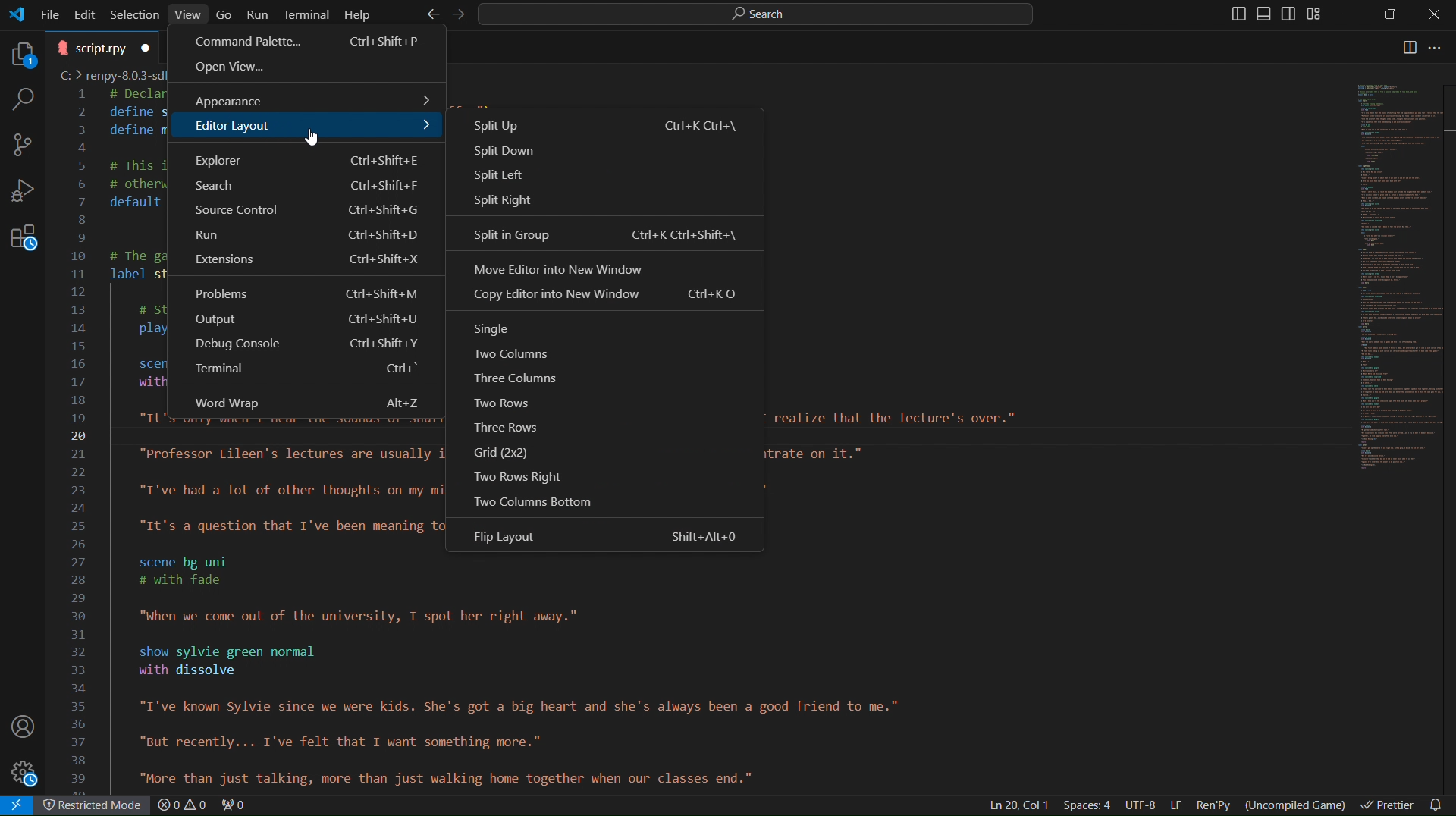 The image size is (1456, 816). What do you see at coordinates (1291, 14) in the screenshot?
I see `Toggle Secondary Sidebar` at bounding box center [1291, 14].